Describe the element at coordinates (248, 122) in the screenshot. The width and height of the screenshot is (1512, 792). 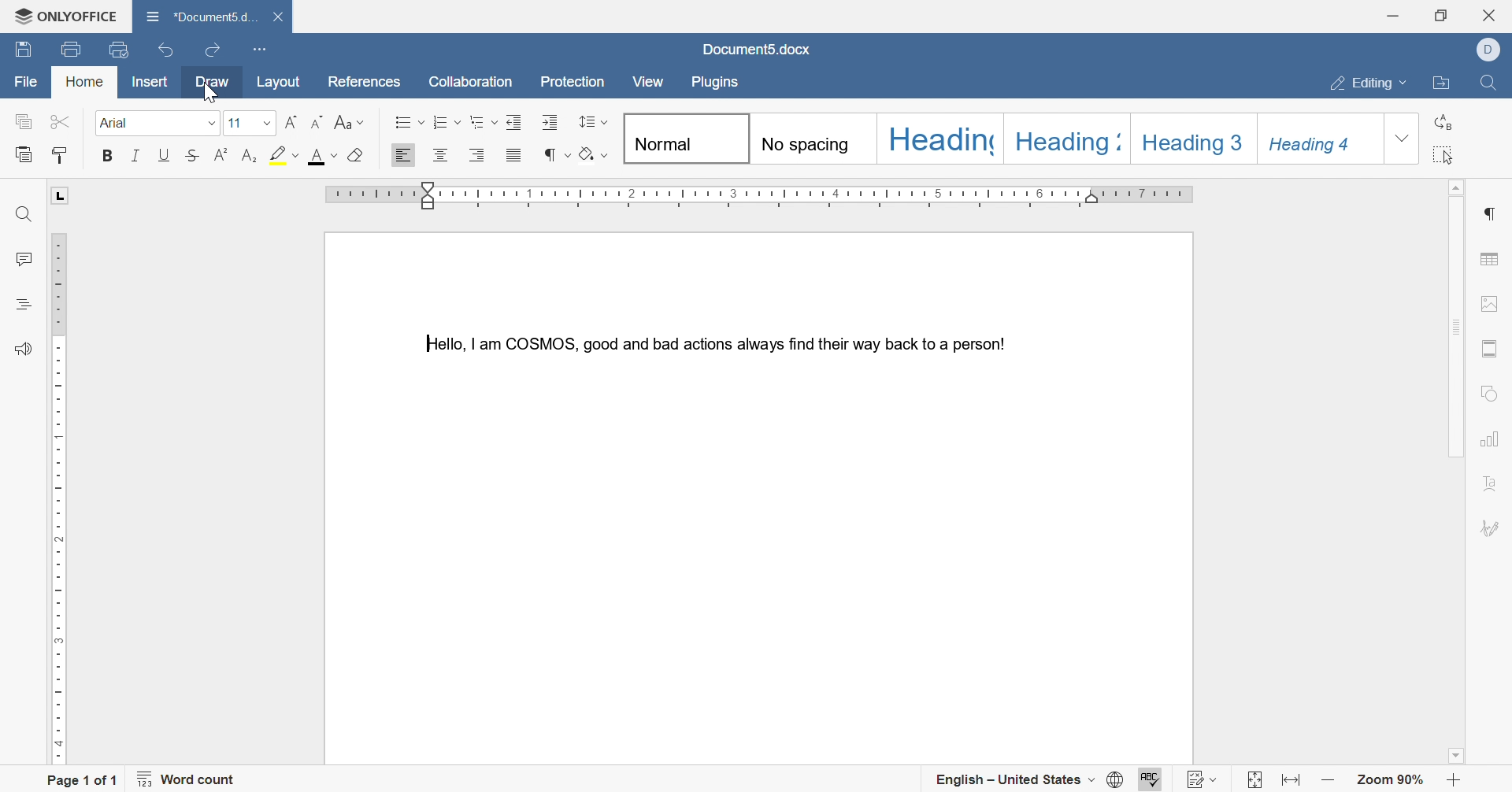
I see `11` at that location.